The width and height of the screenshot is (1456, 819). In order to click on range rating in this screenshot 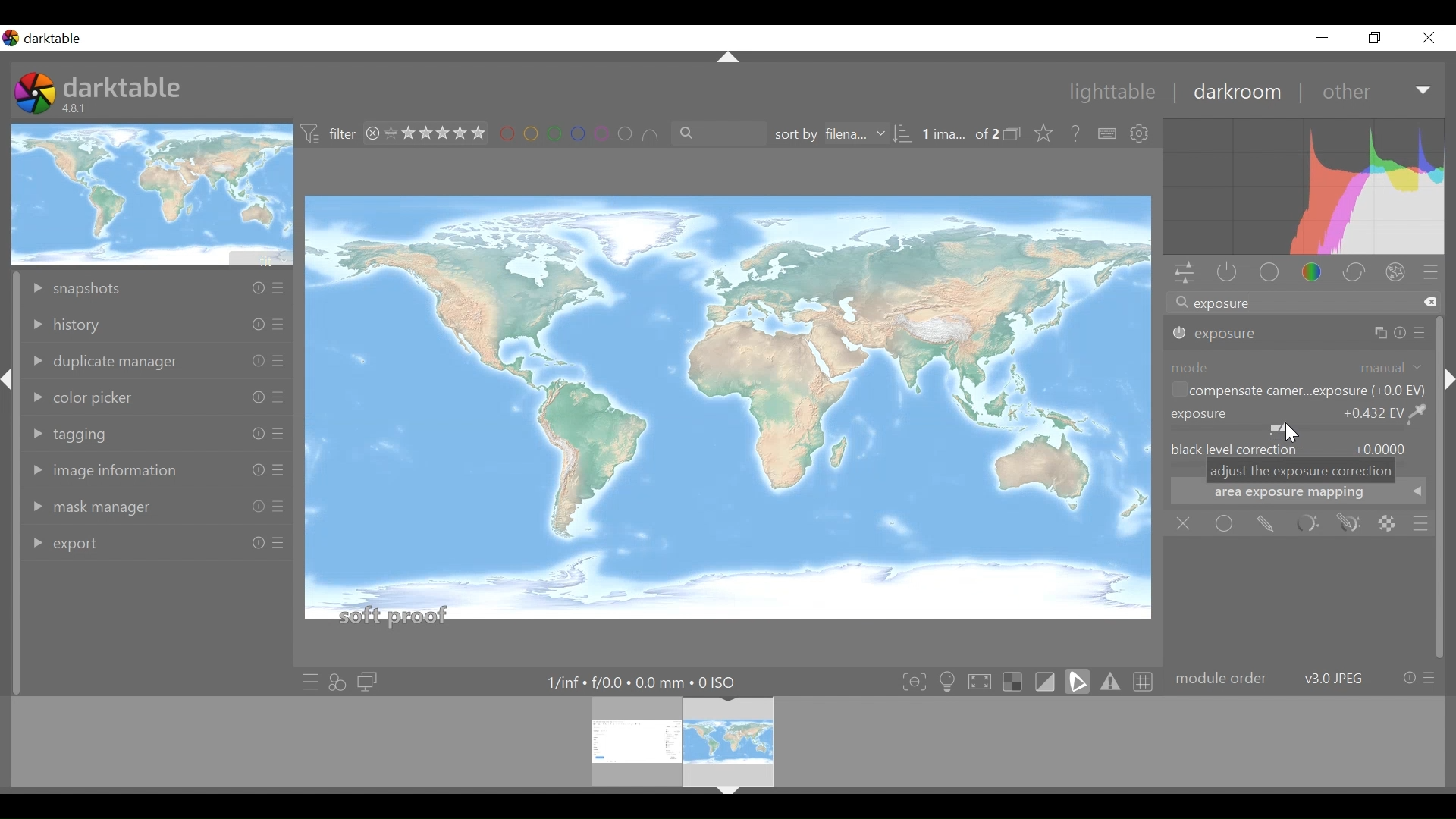, I will do `click(428, 134)`.